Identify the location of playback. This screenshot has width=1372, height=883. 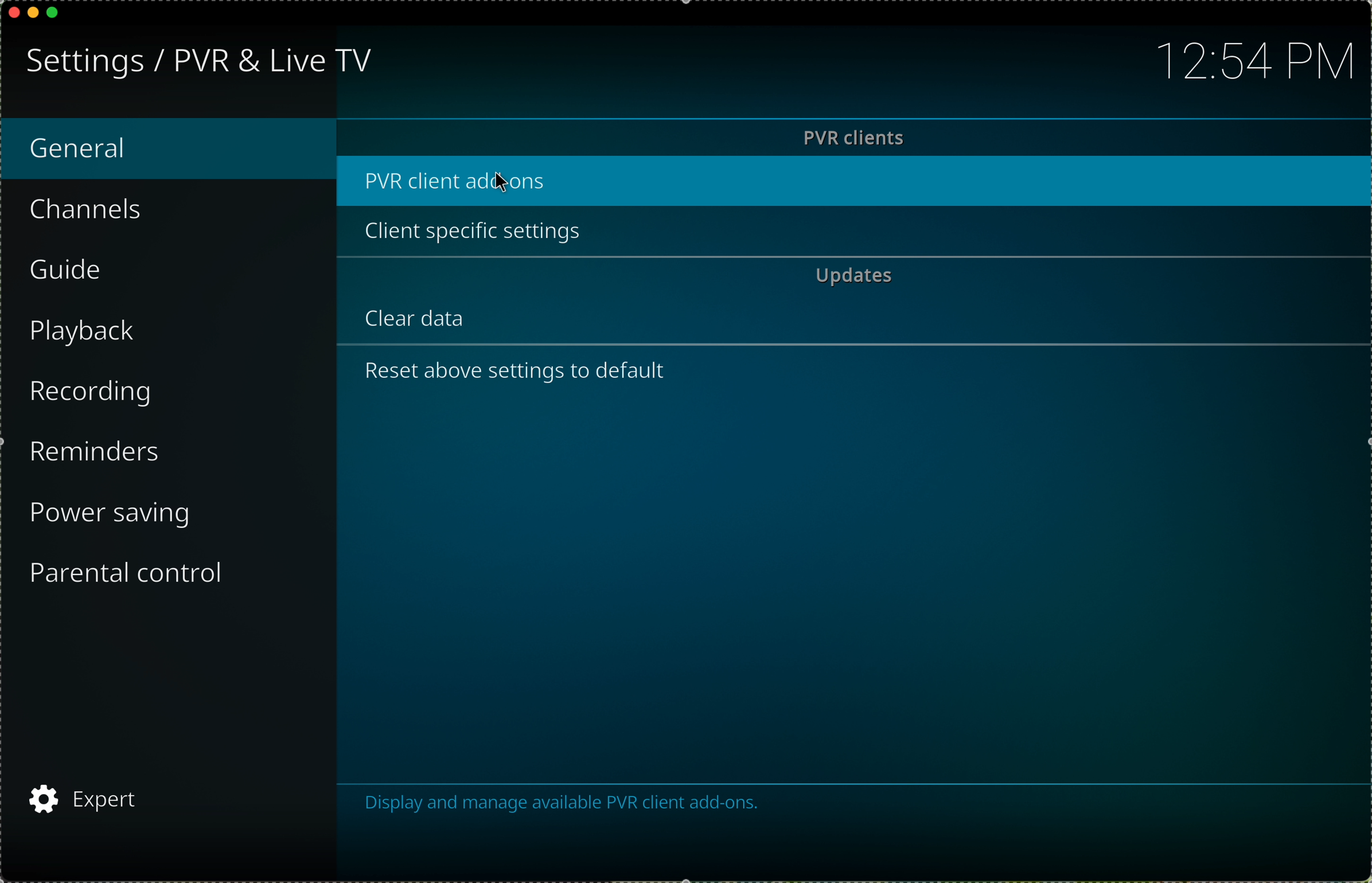
(83, 333).